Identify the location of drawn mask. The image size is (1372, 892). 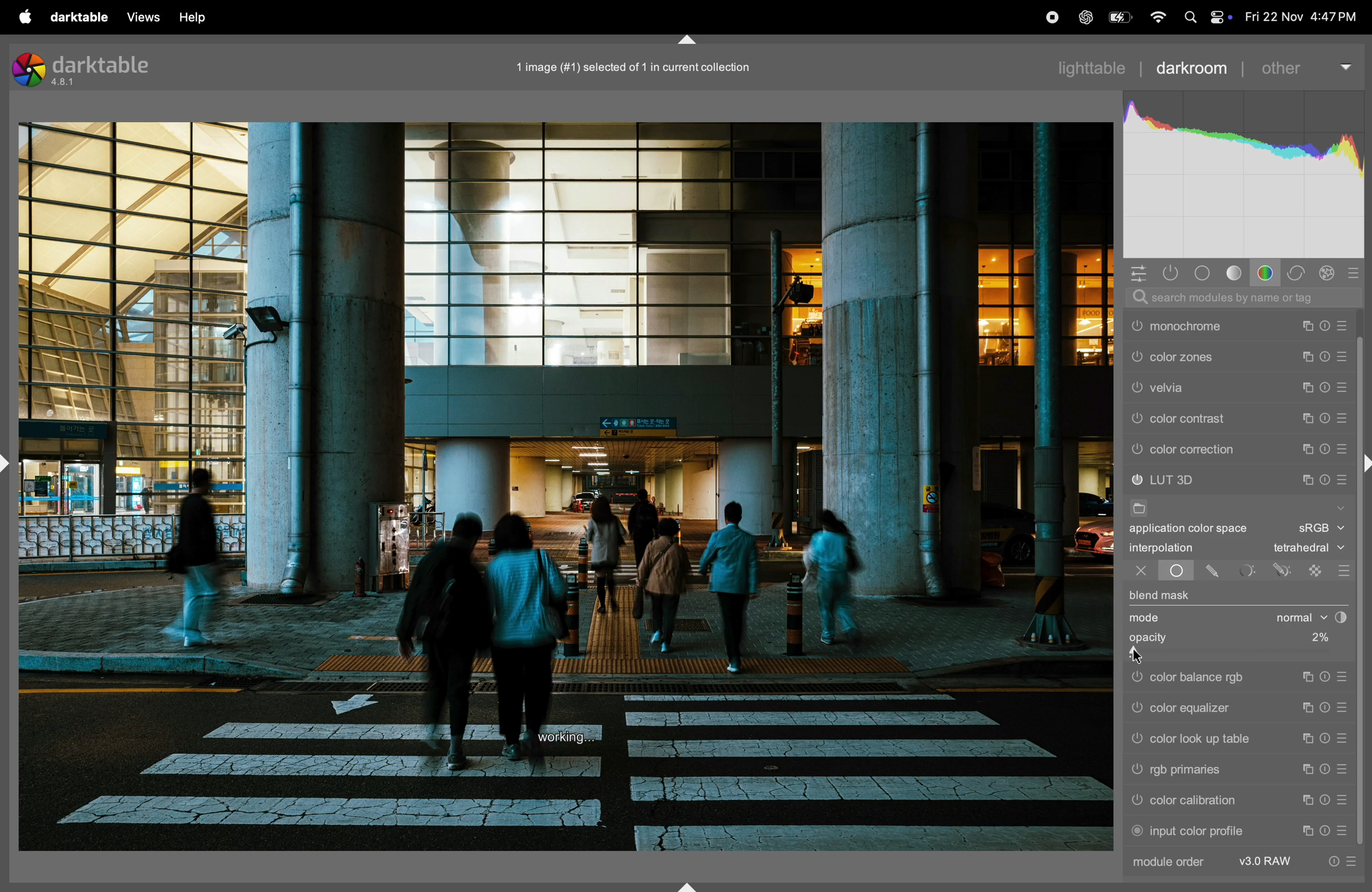
(1215, 573).